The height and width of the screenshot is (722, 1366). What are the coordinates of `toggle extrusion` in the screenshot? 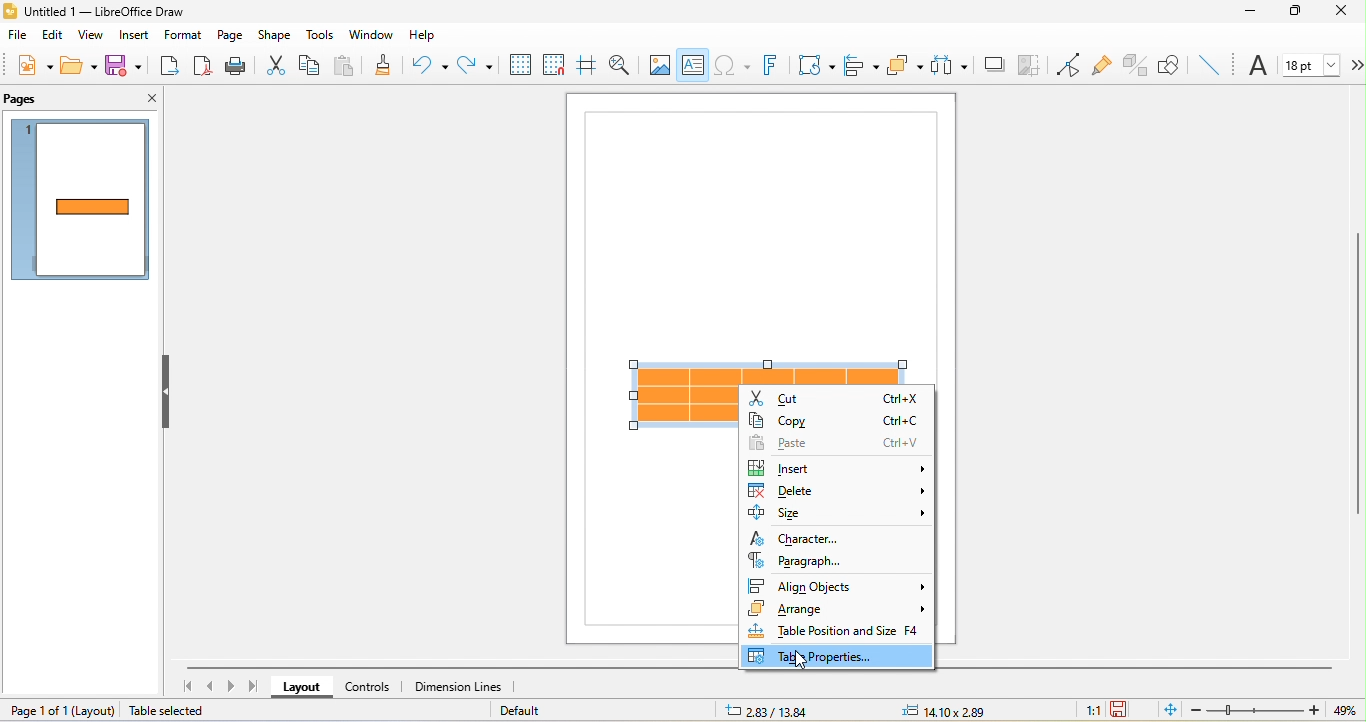 It's located at (1134, 64).